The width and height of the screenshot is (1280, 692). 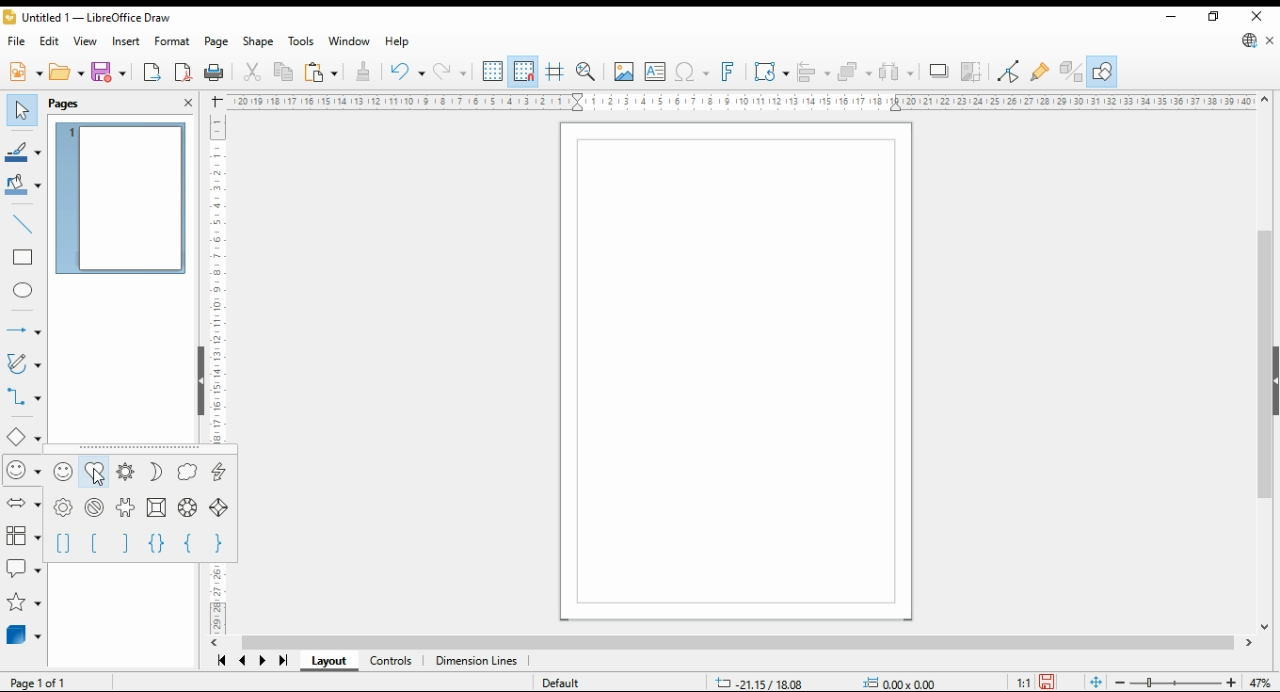 What do you see at coordinates (199, 380) in the screenshot?
I see `hide button` at bounding box center [199, 380].